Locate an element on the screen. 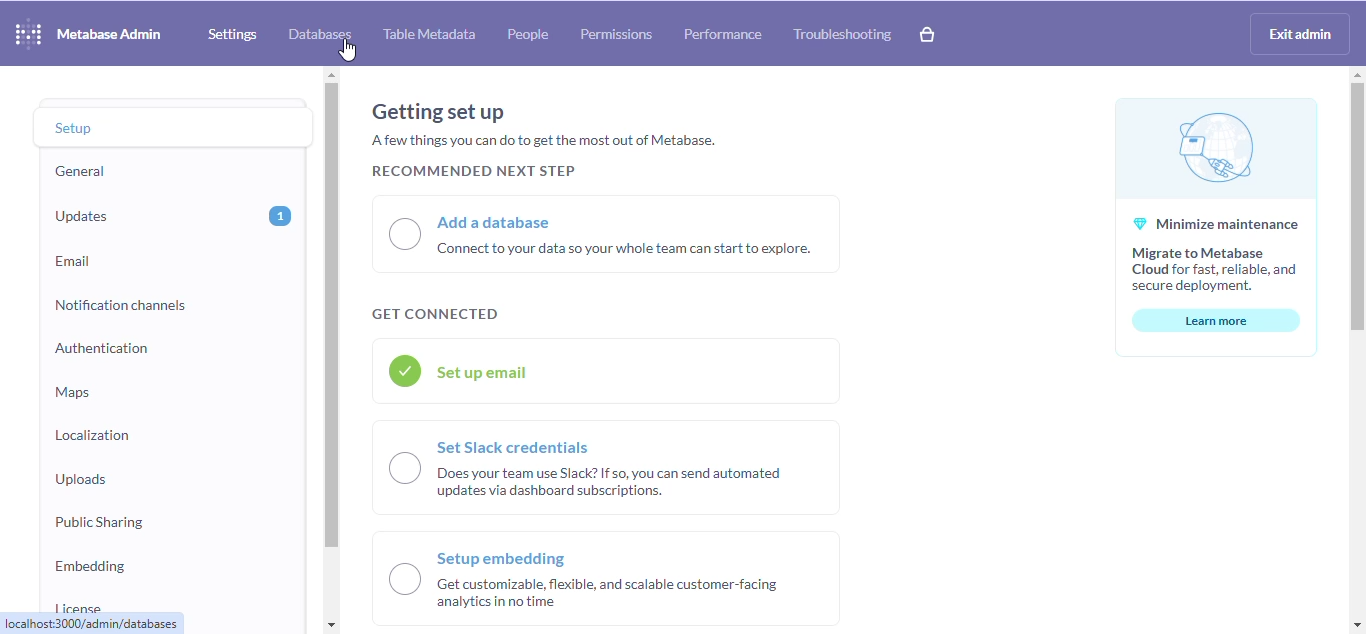 The width and height of the screenshot is (1366, 634). embedding is located at coordinates (90, 566).